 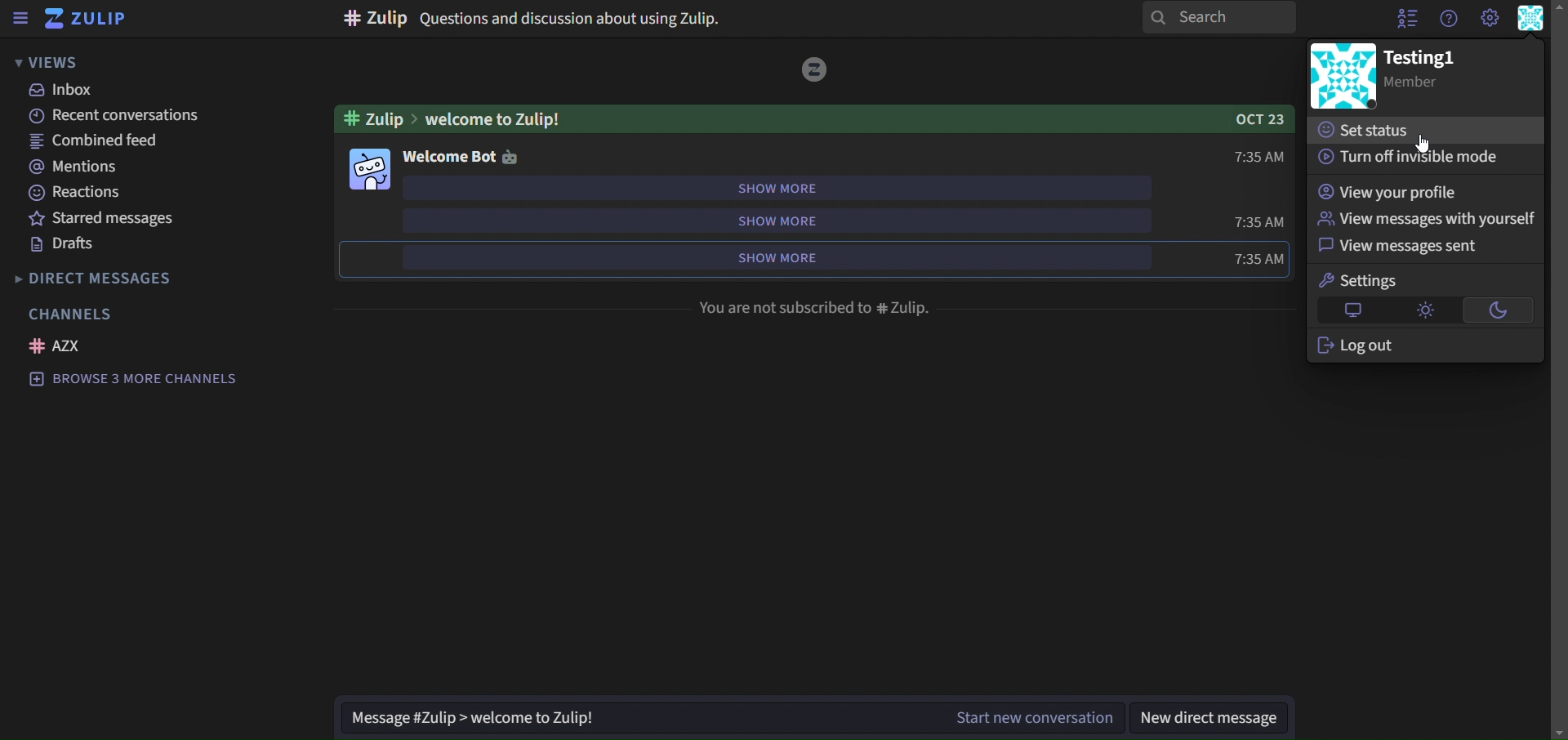 What do you see at coordinates (1241, 156) in the screenshot?
I see `7:35am` at bounding box center [1241, 156].